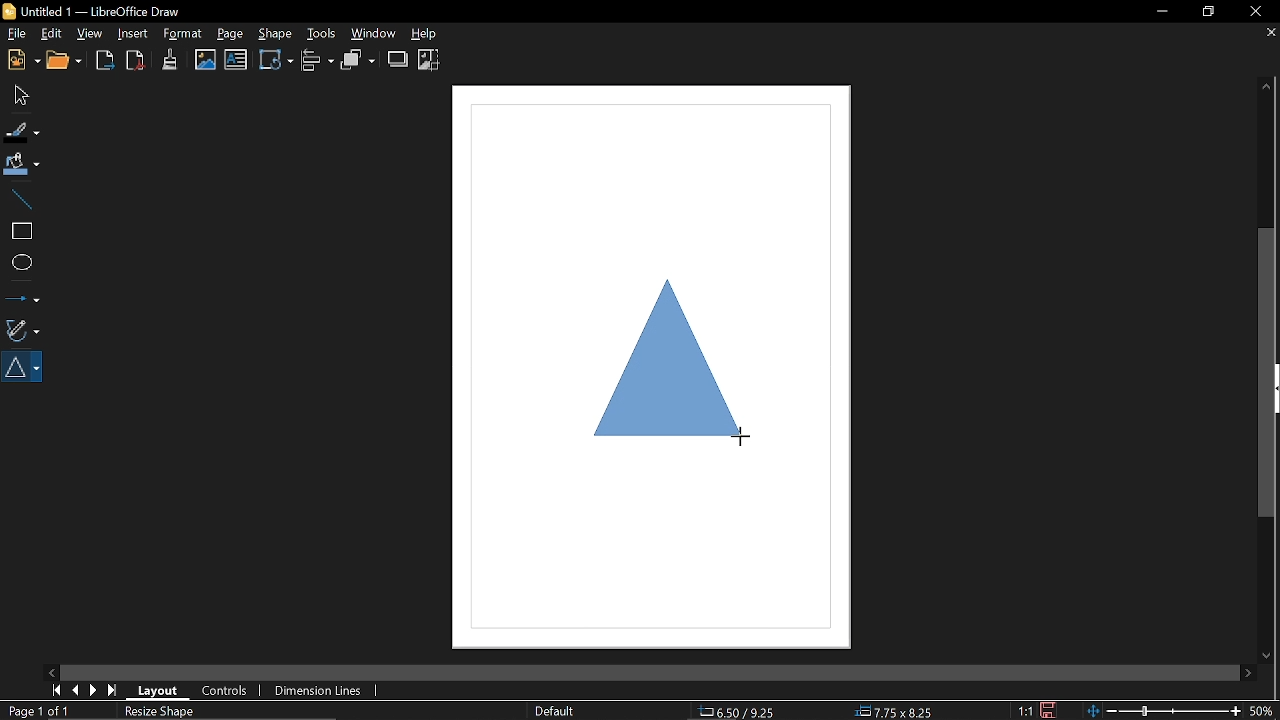 The width and height of the screenshot is (1280, 720). Describe the element at coordinates (160, 712) in the screenshot. I see `resize shape` at that location.